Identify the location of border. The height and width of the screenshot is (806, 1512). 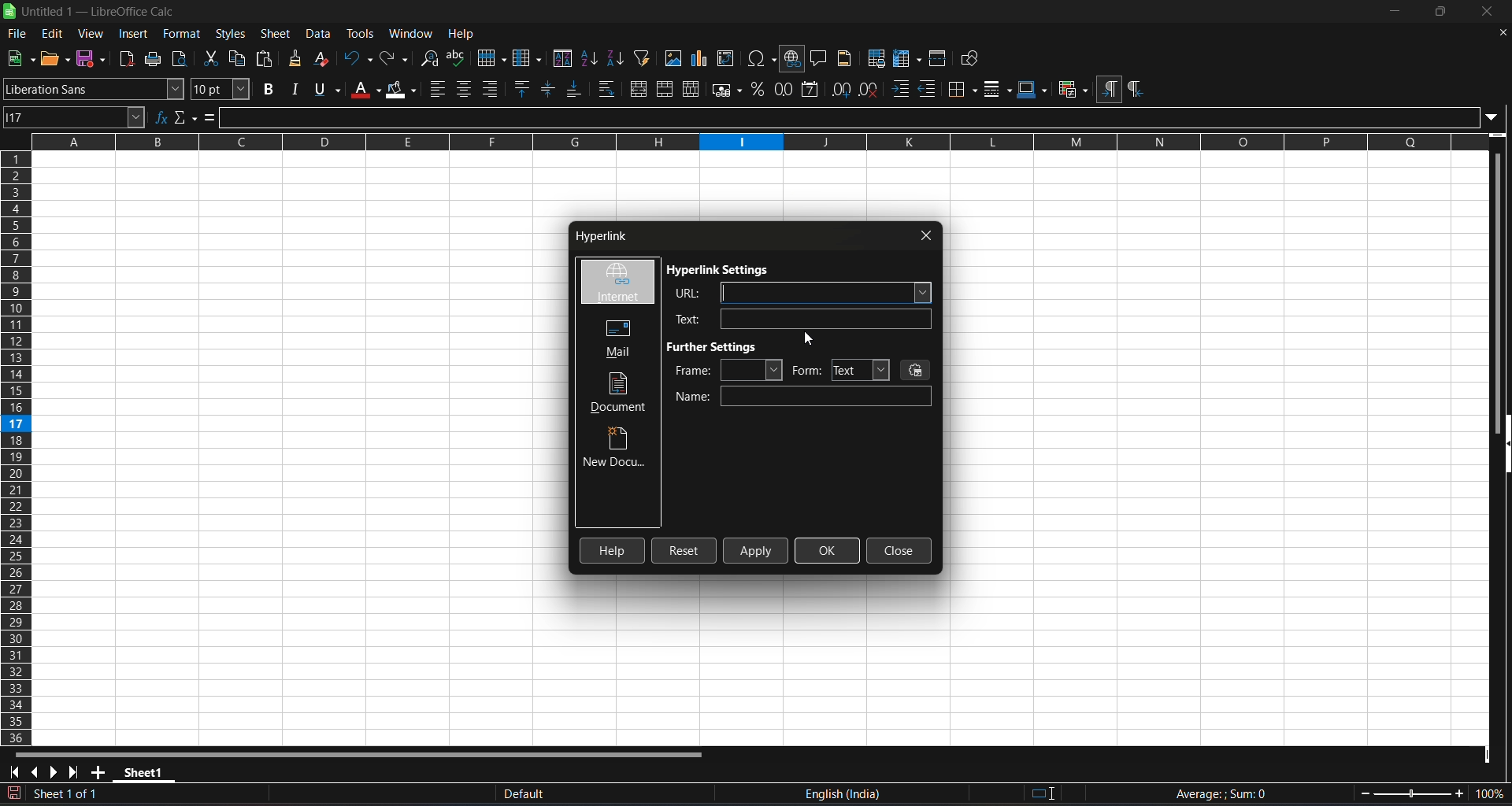
(963, 89).